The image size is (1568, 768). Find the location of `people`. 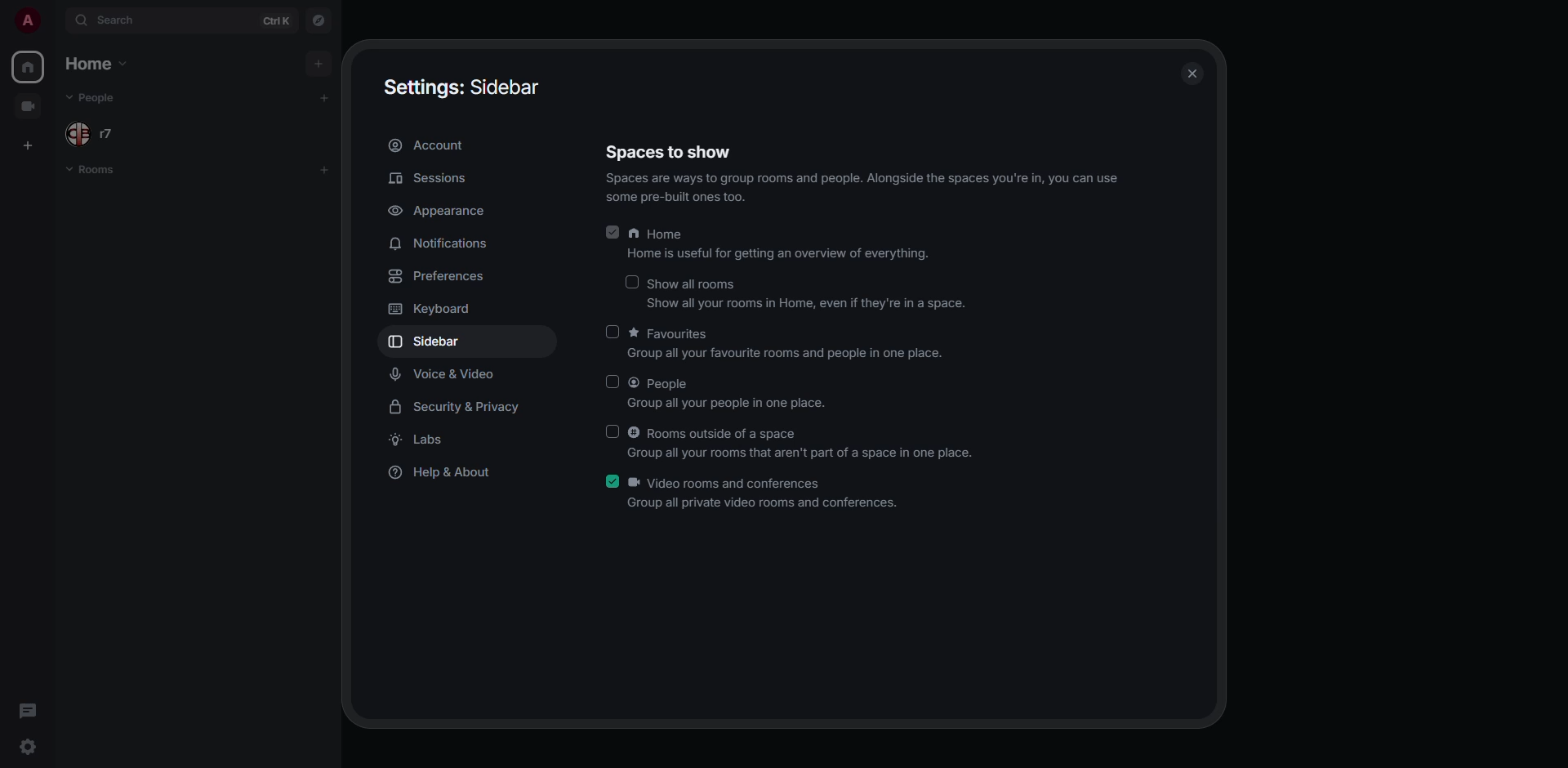

people is located at coordinates (95, 97).